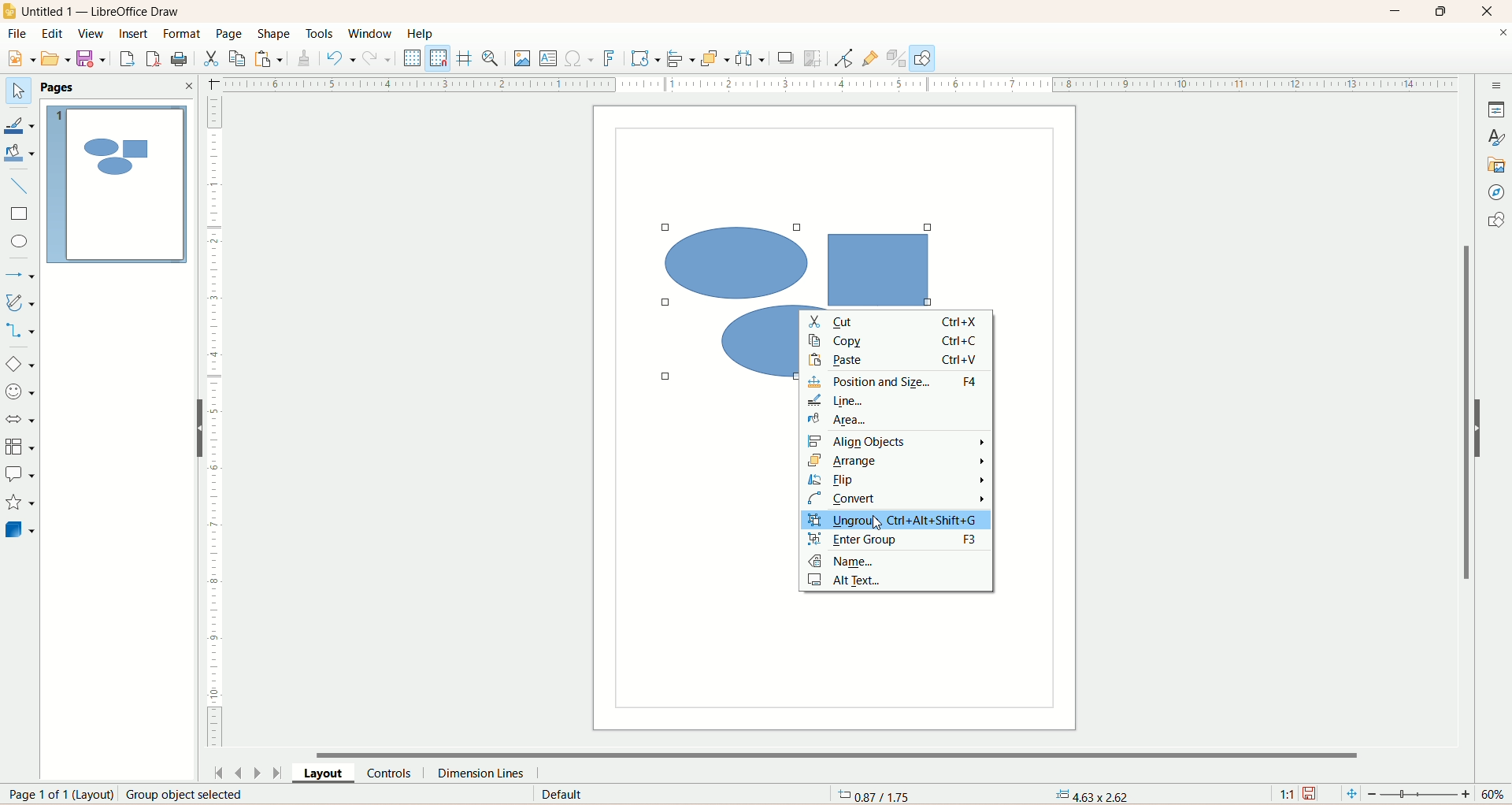 The width and height of the screenshot is (1512, 805). I want to click on save, so click(93, 59).